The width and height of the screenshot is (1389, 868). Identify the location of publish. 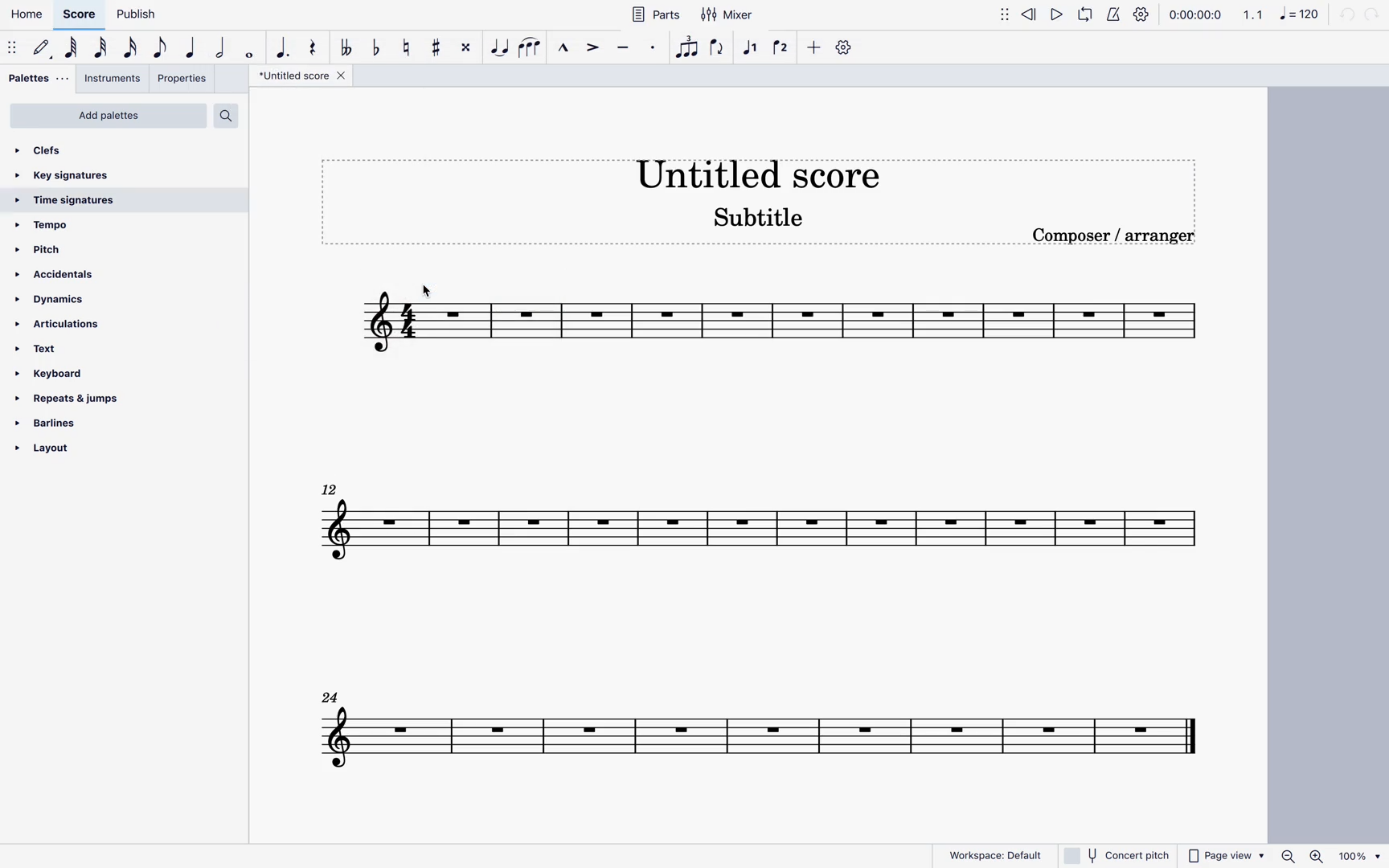
(135, 13).